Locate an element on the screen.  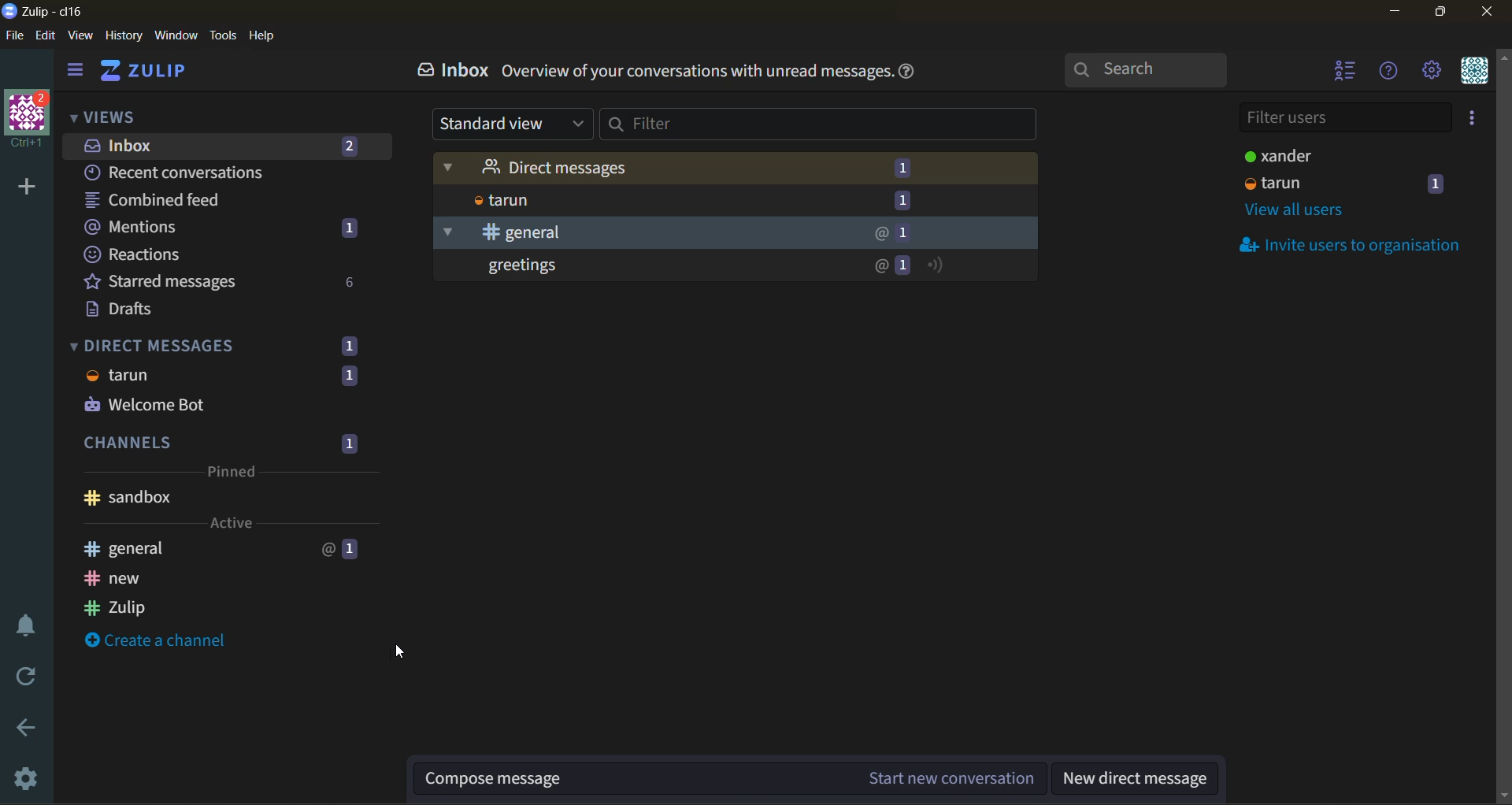
help is located at coordinates (919, 71).